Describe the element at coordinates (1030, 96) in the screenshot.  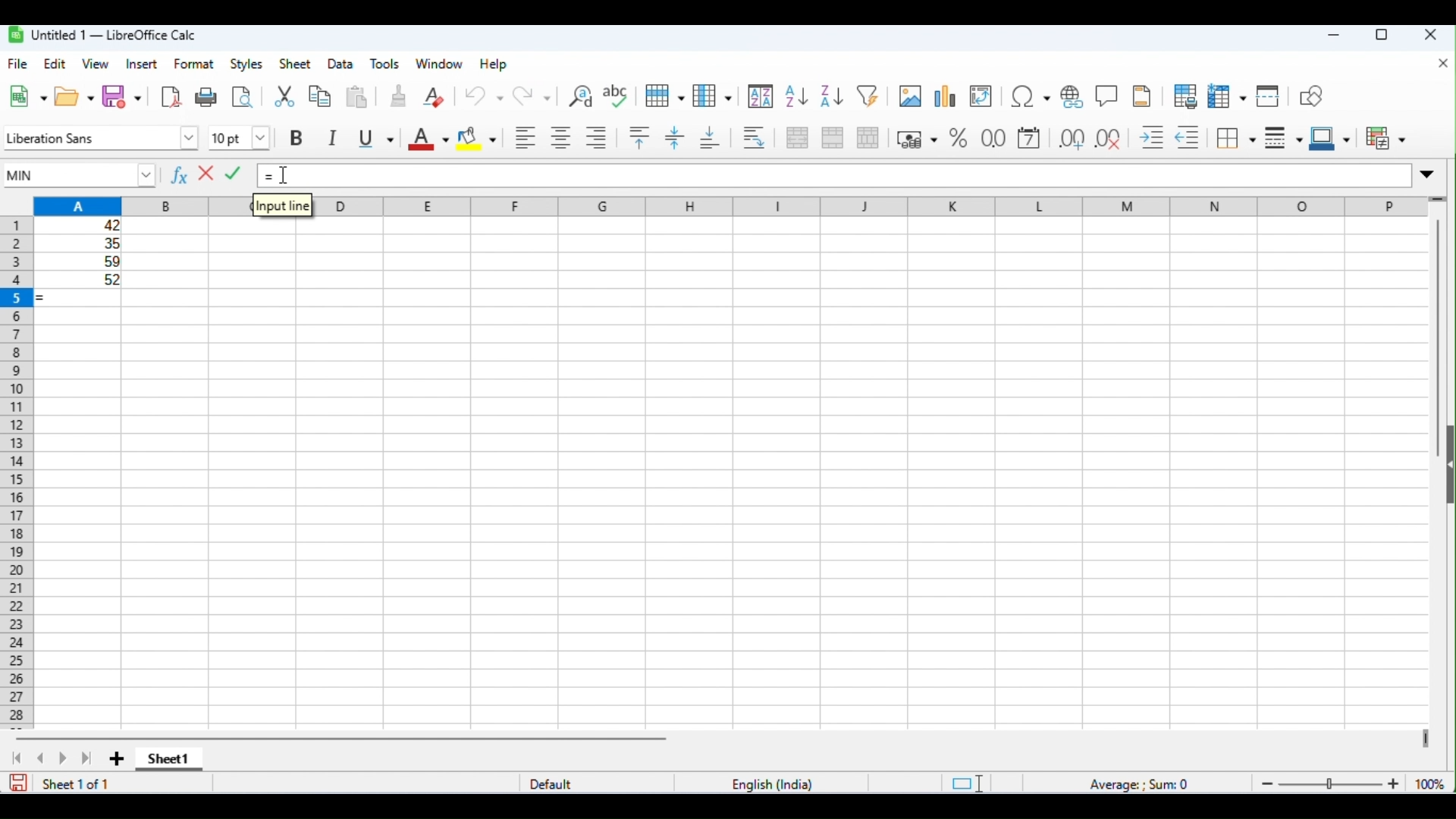
I see `insert special characters` at that location.